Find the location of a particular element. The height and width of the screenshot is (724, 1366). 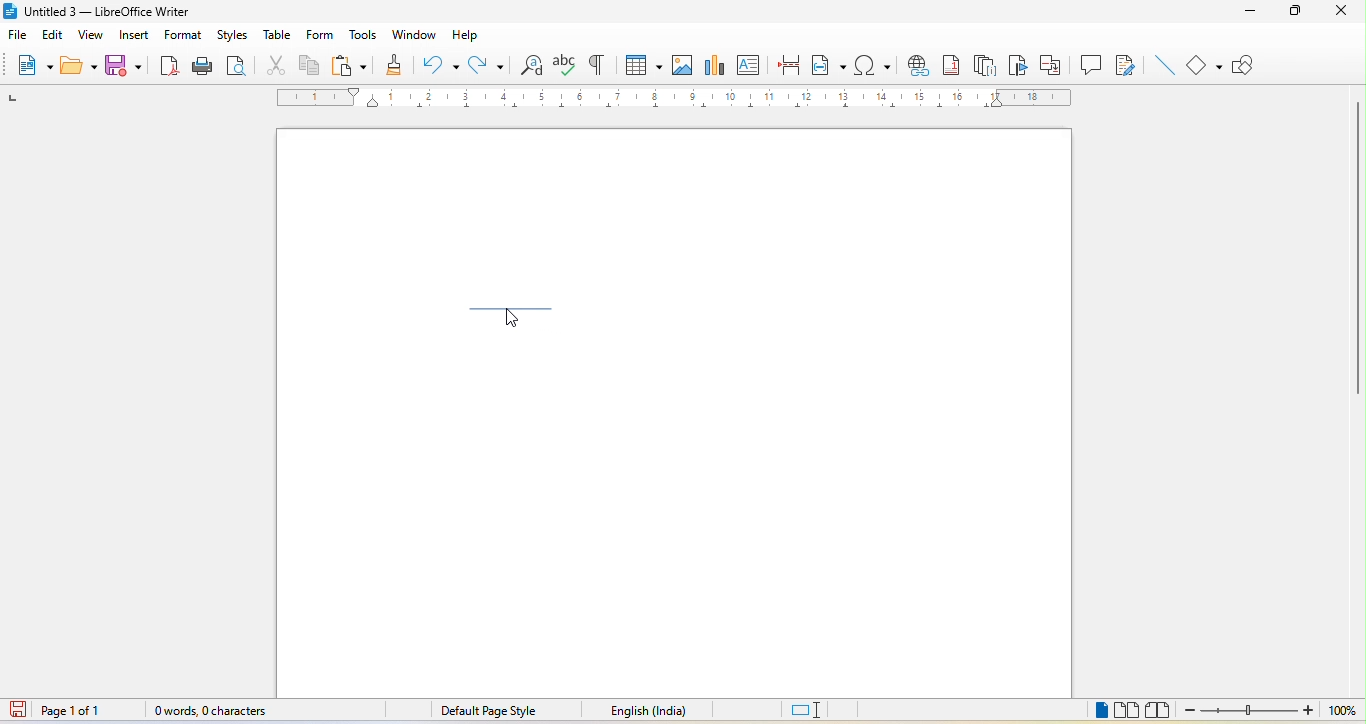

endnote is located at coordinates (985, 66).